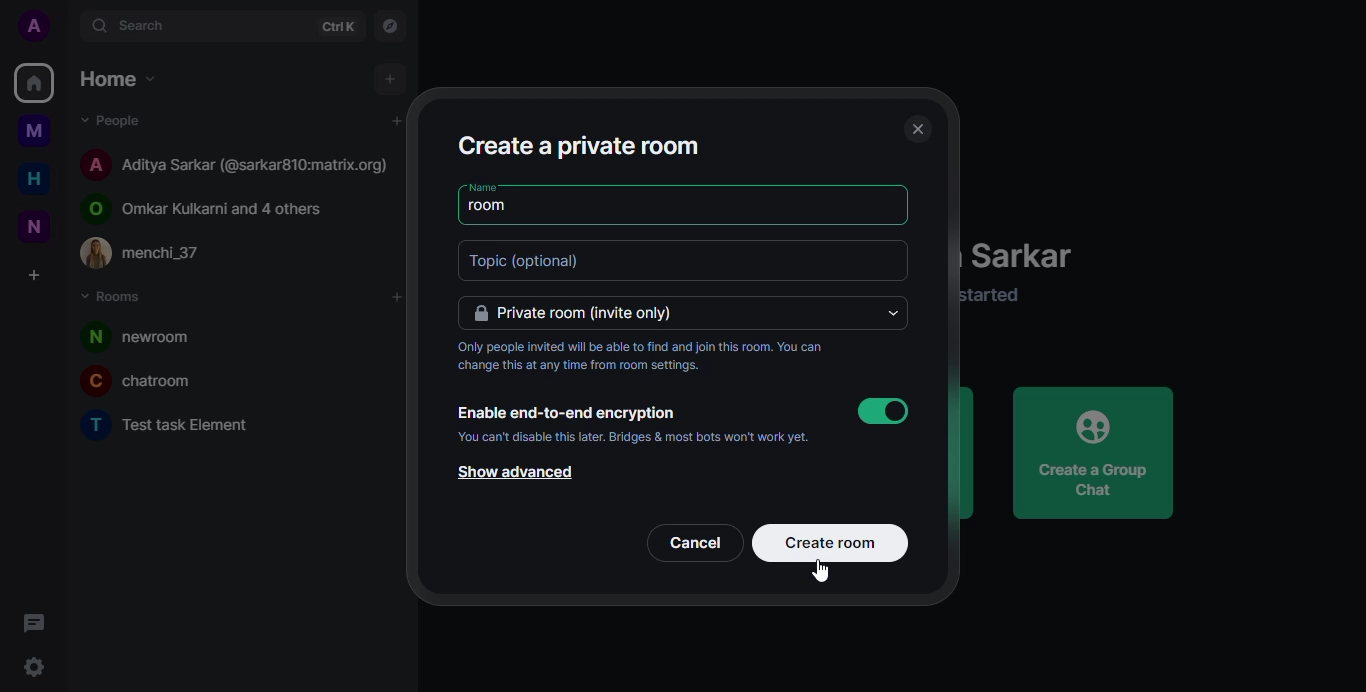 This screenshot has width=1366, height=692. What do you see at coordinates (237, 162) in the screenshot?
I see `Aditya Sarkar room` at bounding box center [237, 162].